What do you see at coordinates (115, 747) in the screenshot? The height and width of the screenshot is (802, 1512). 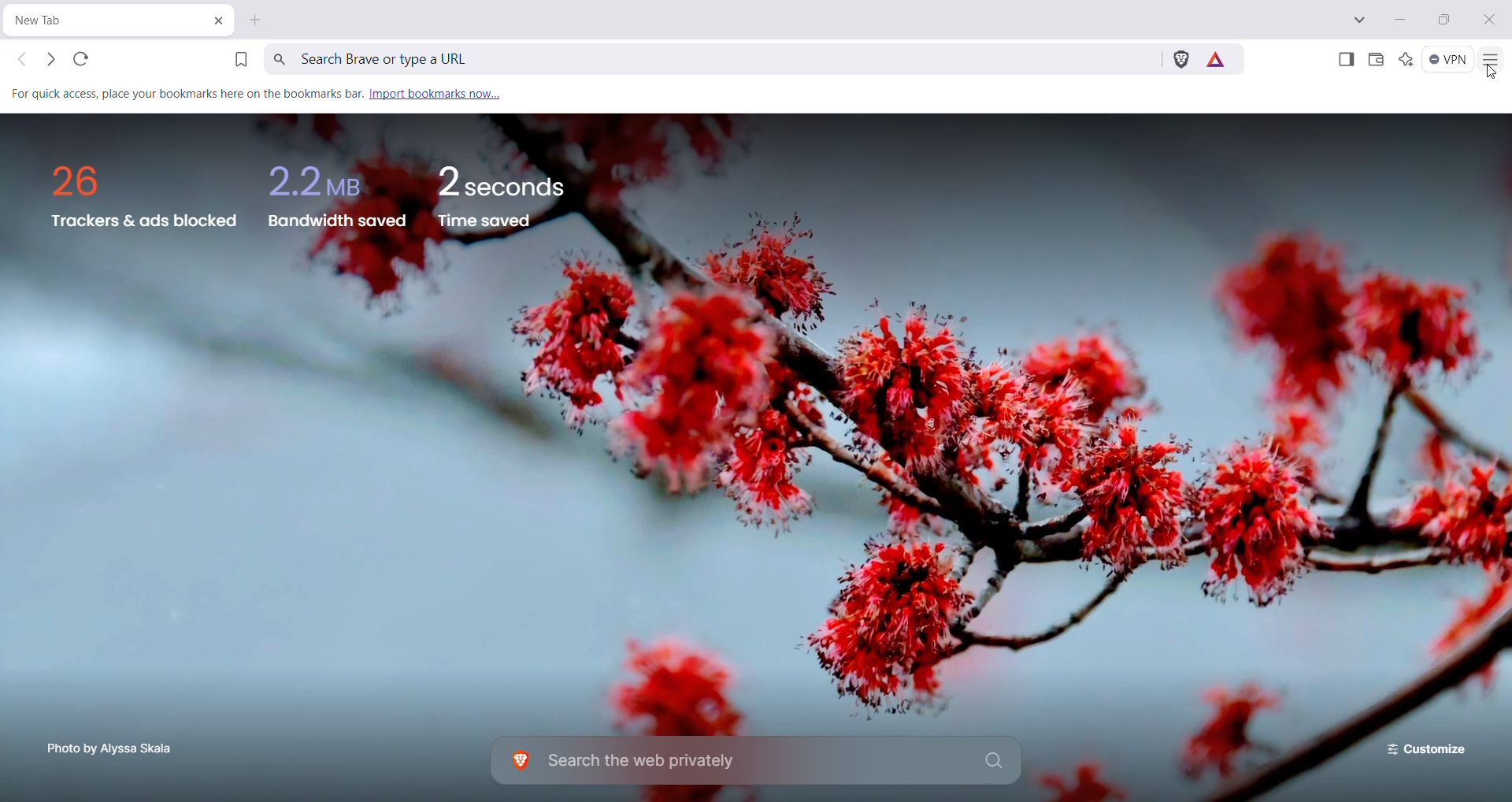 I see `Photo by Alyssa Skala` at bounding box center [115, 747].